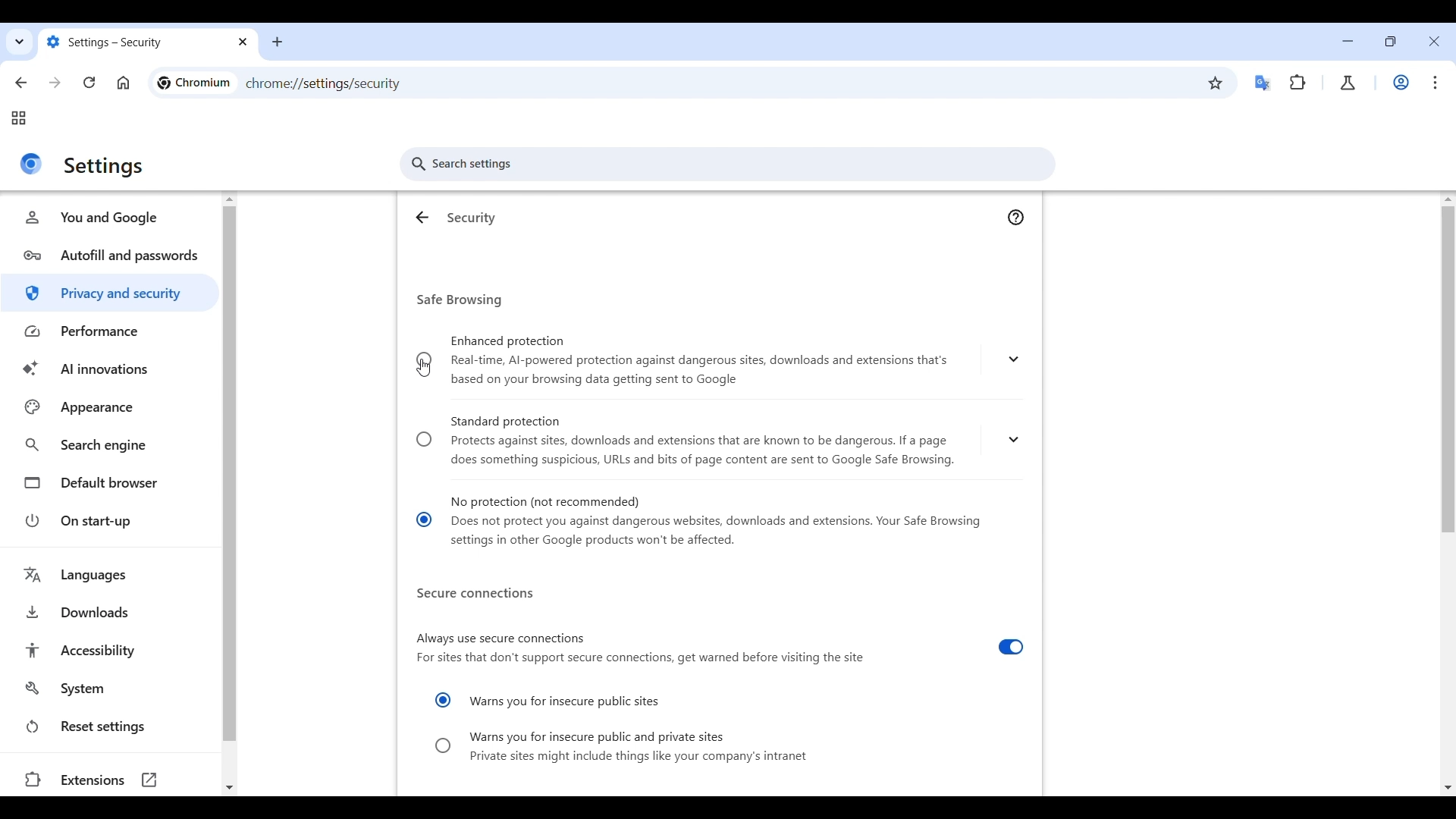  What do you see at coordinates (89, 82) in the screenshot?
I see `Reload page` at bounding box center [89, 82].